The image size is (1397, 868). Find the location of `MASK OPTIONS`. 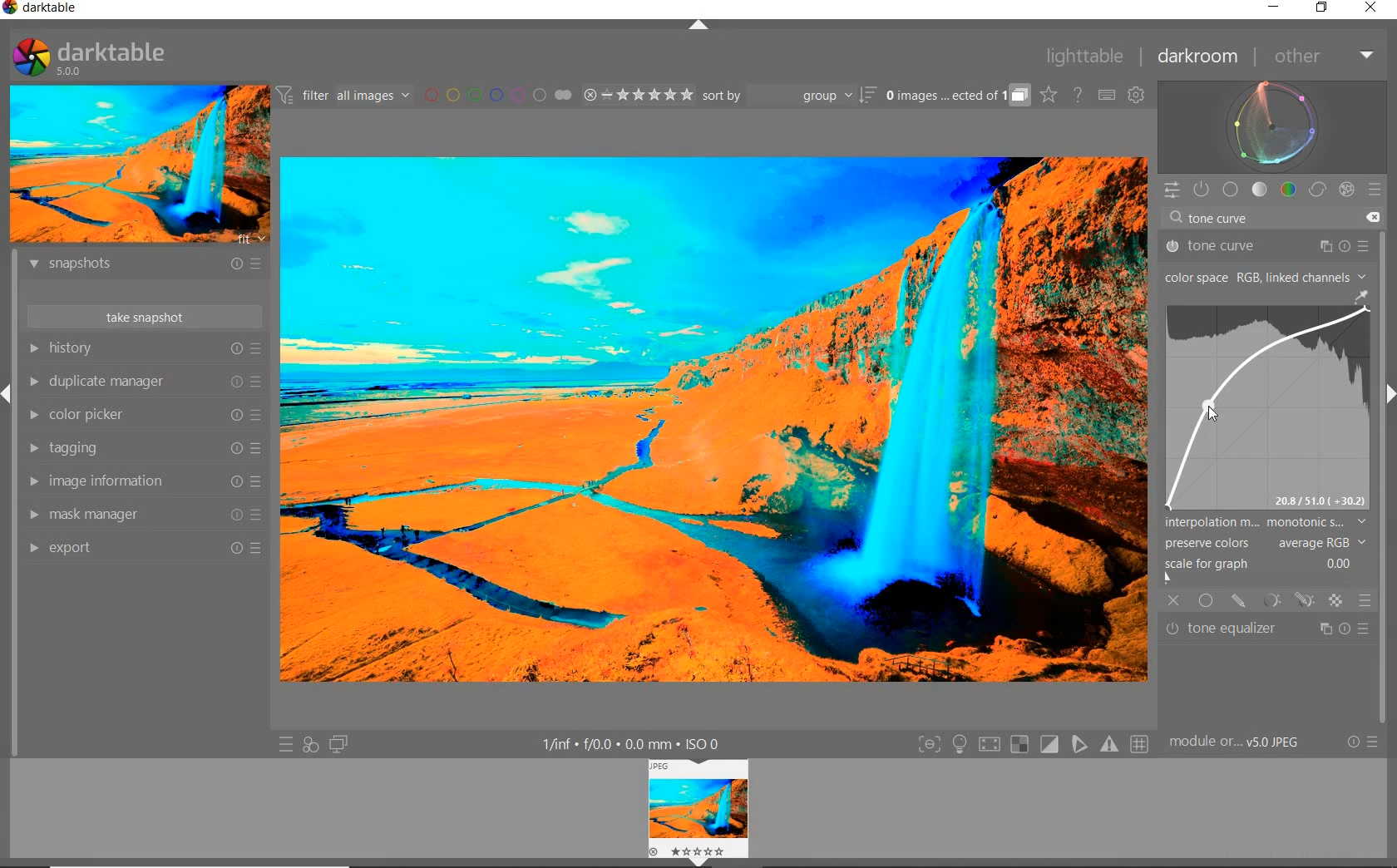

MASK OPTIONS is located at coordinates (1287, 601).